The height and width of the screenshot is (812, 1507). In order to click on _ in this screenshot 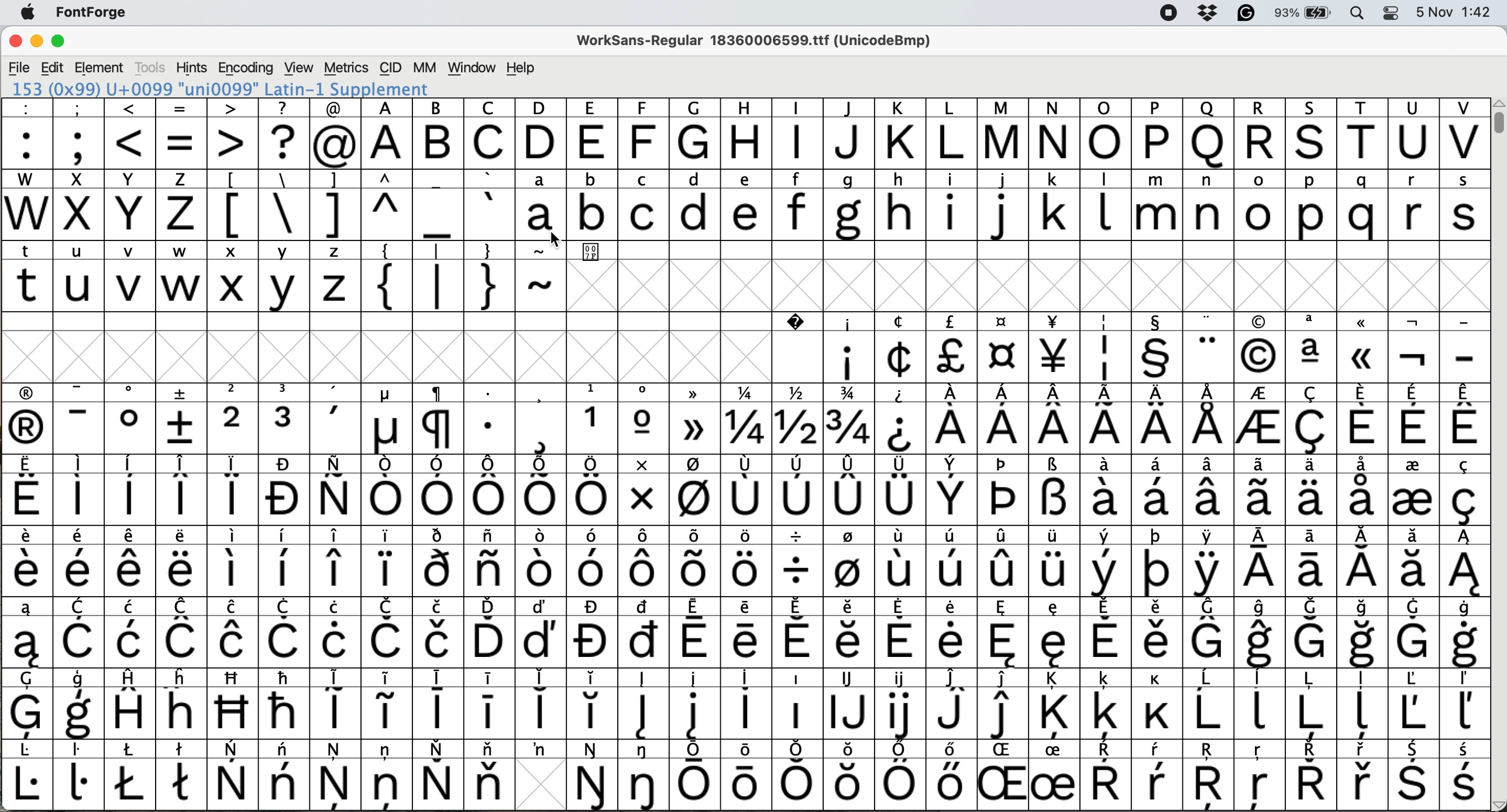, I will do `click(439, 205)`.